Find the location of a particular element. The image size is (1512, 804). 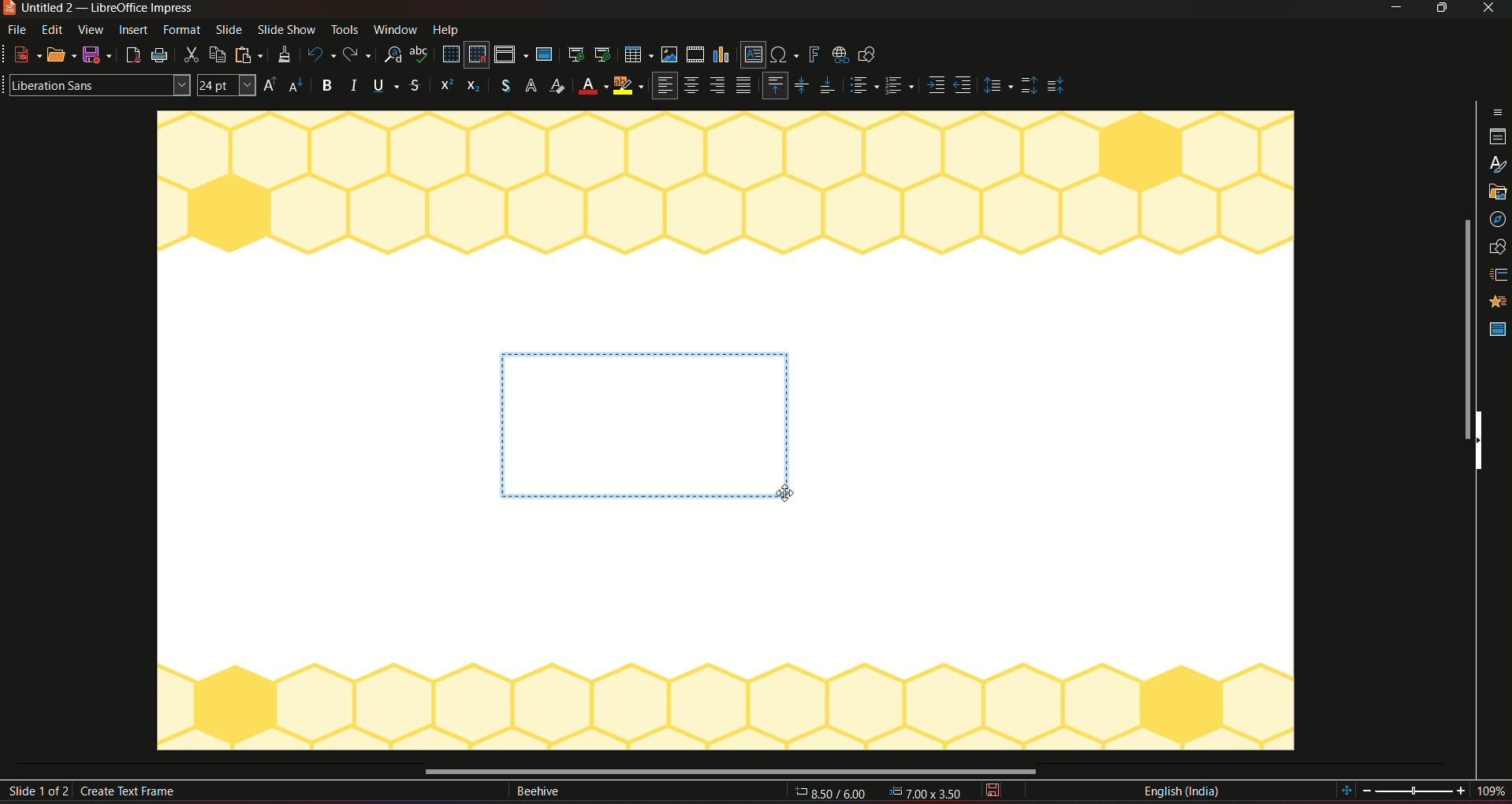

Italic is located at coordinates (356, 86).